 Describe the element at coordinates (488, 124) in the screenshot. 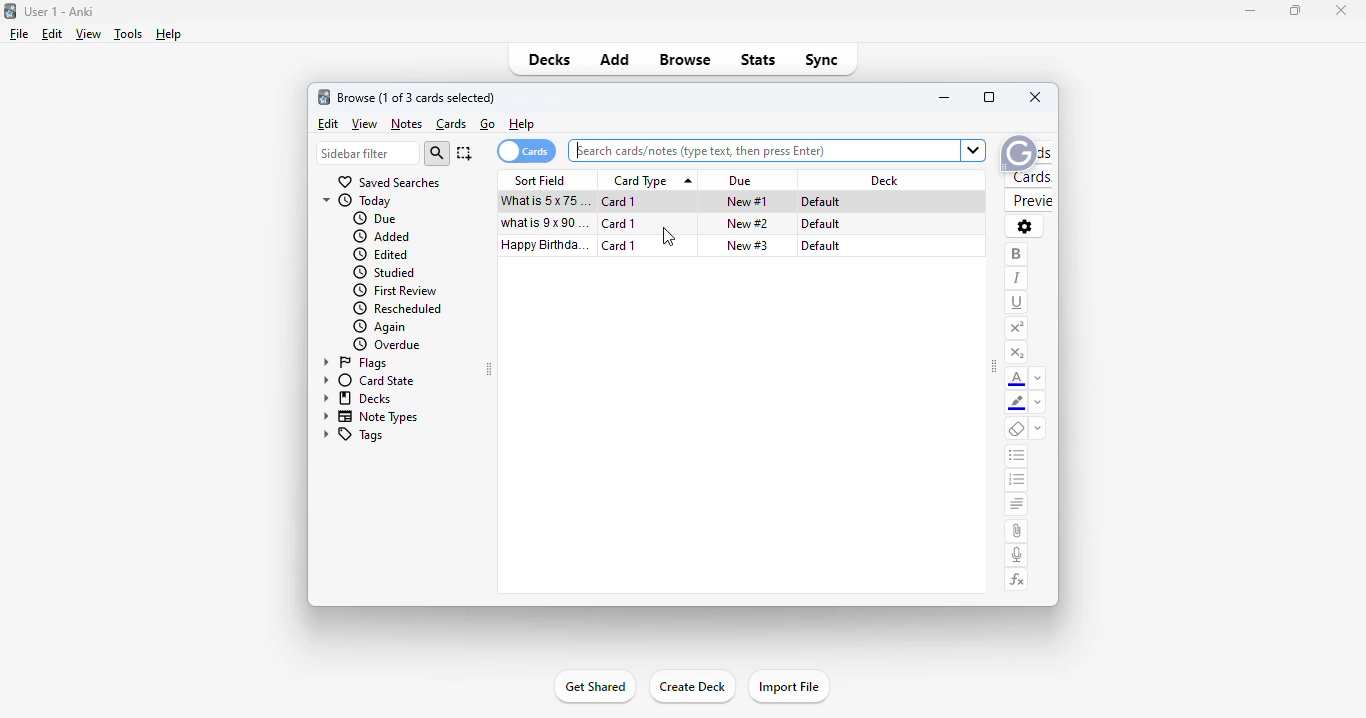

I see `go` at that location.